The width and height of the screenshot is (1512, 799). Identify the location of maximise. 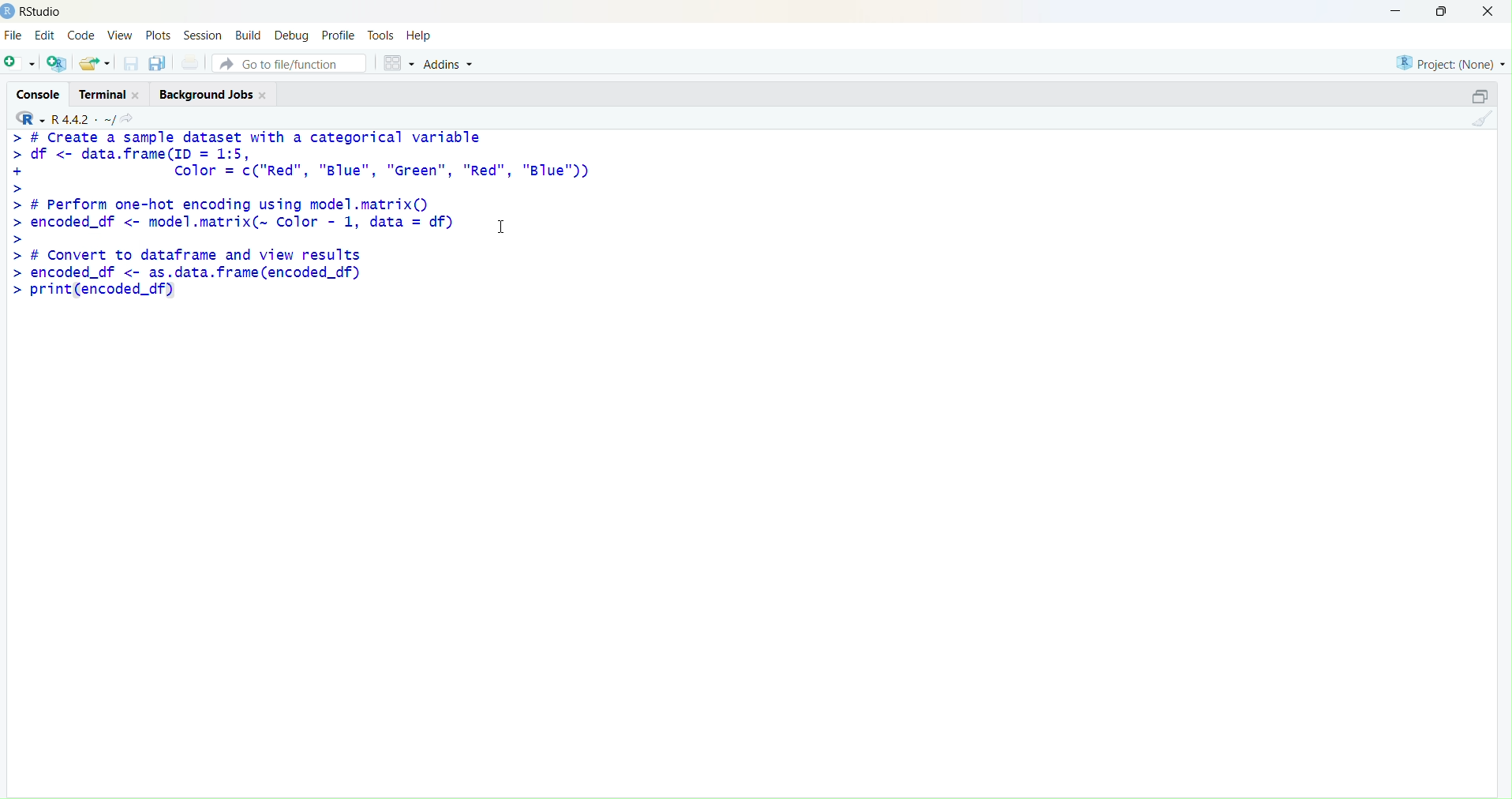
(1443, 11).